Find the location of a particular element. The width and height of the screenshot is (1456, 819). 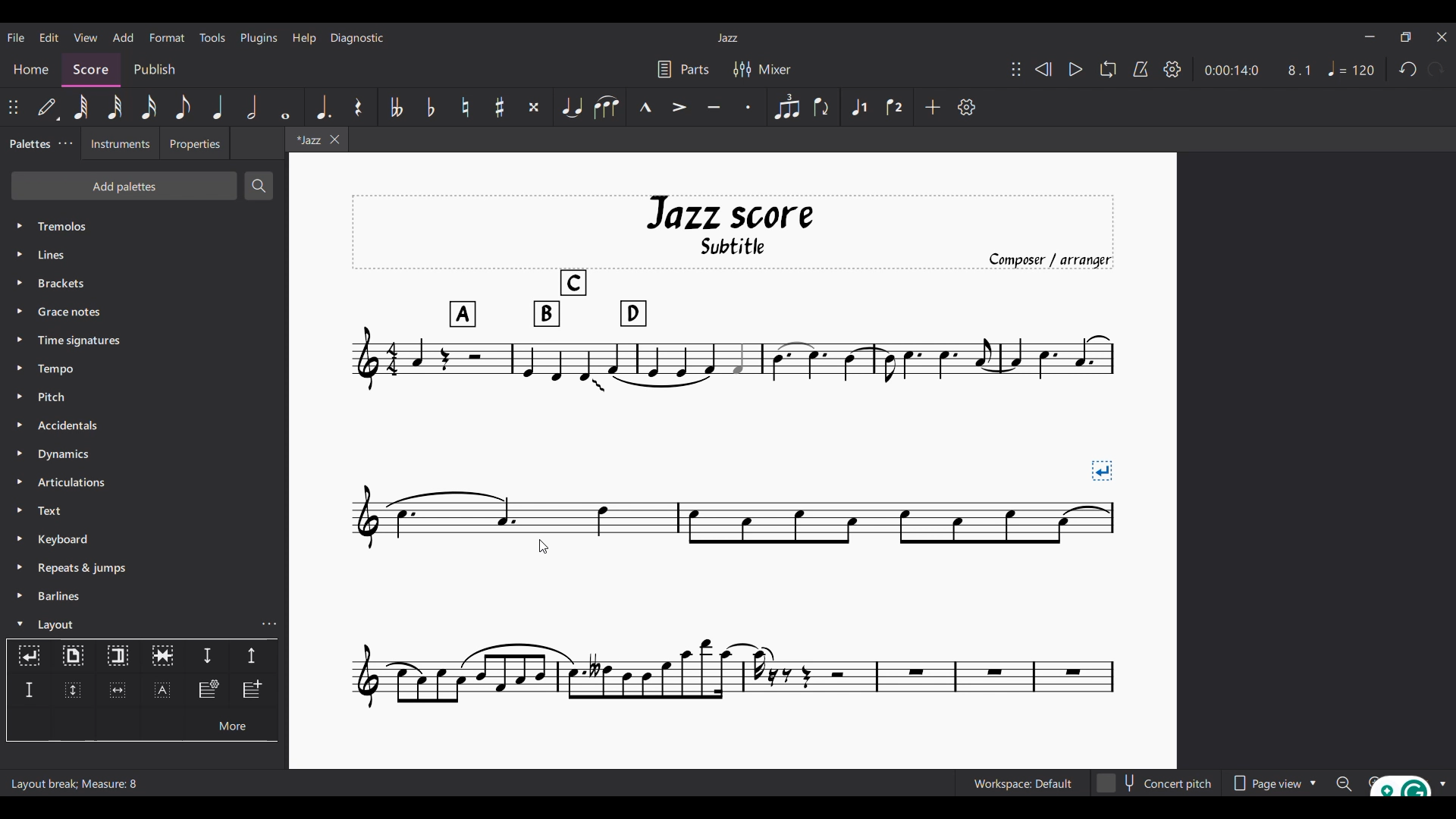

Layout, highlighted by cursor is located at coordinates (130, 623).